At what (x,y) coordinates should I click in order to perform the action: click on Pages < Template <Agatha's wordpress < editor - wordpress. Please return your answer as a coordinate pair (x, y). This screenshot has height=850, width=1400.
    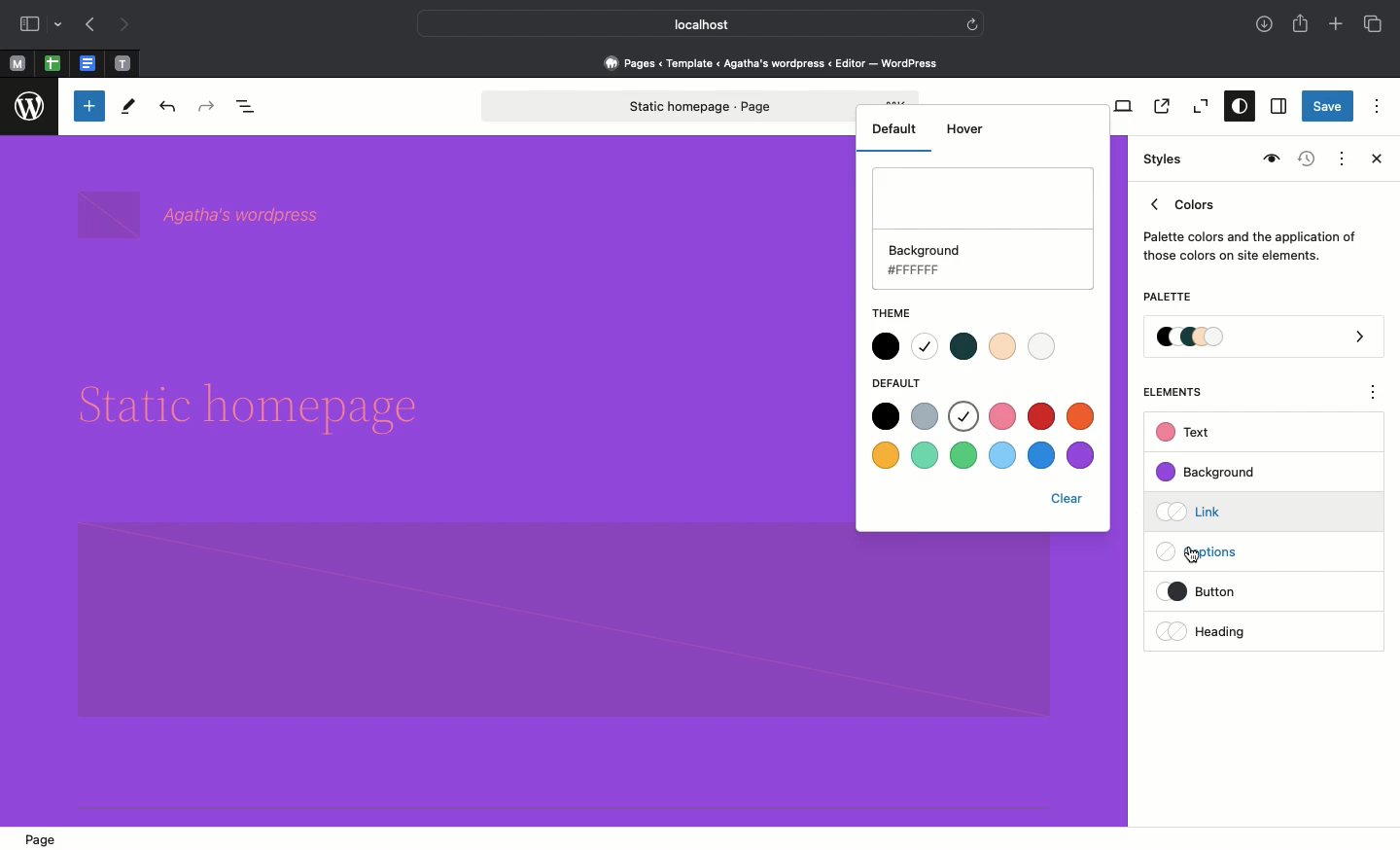
    Looking at the image, I should click on (778, 62).